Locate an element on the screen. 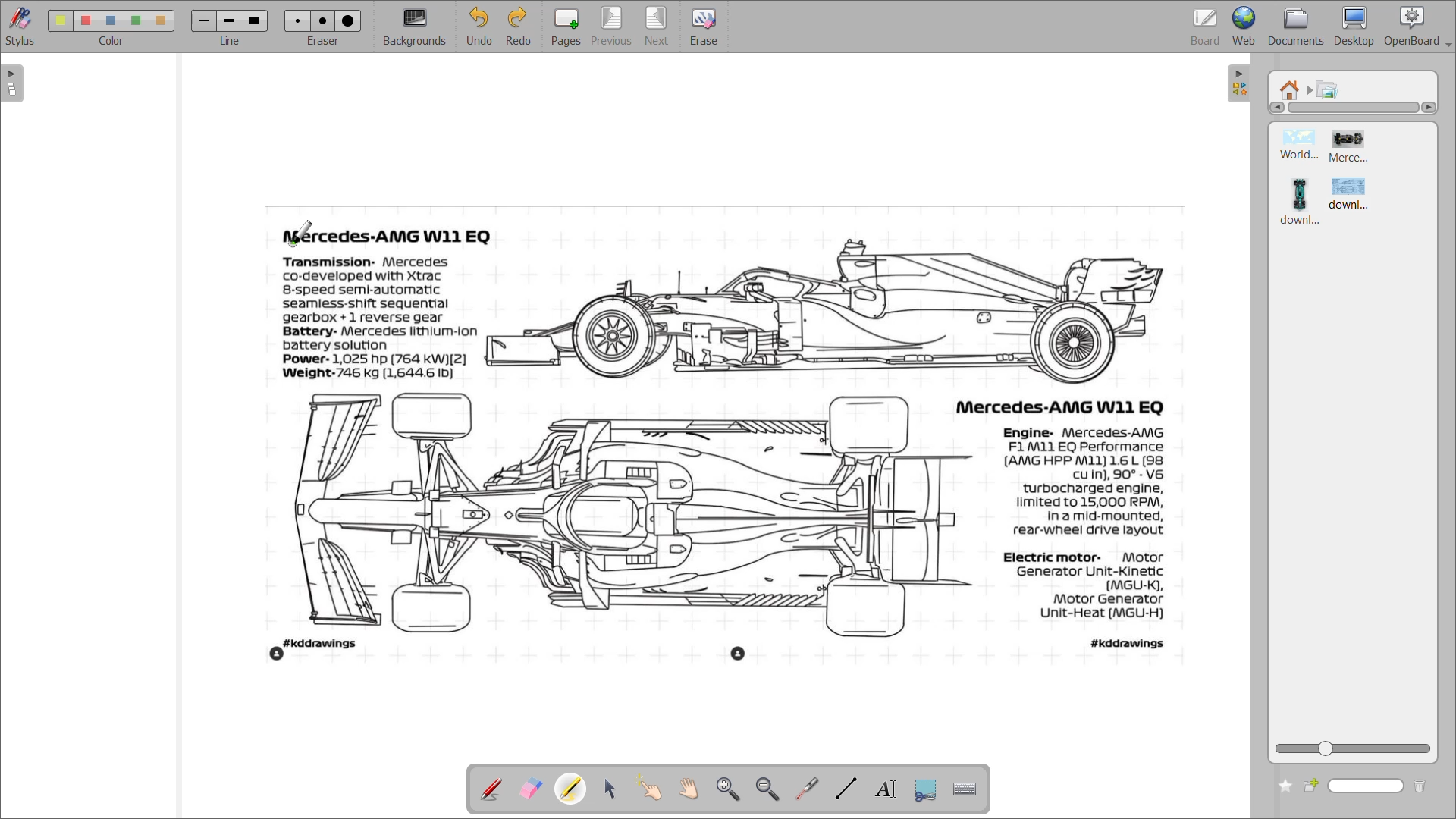 This screenshot has width=1456, height=819. eraser is located at coordinates (324, 42).